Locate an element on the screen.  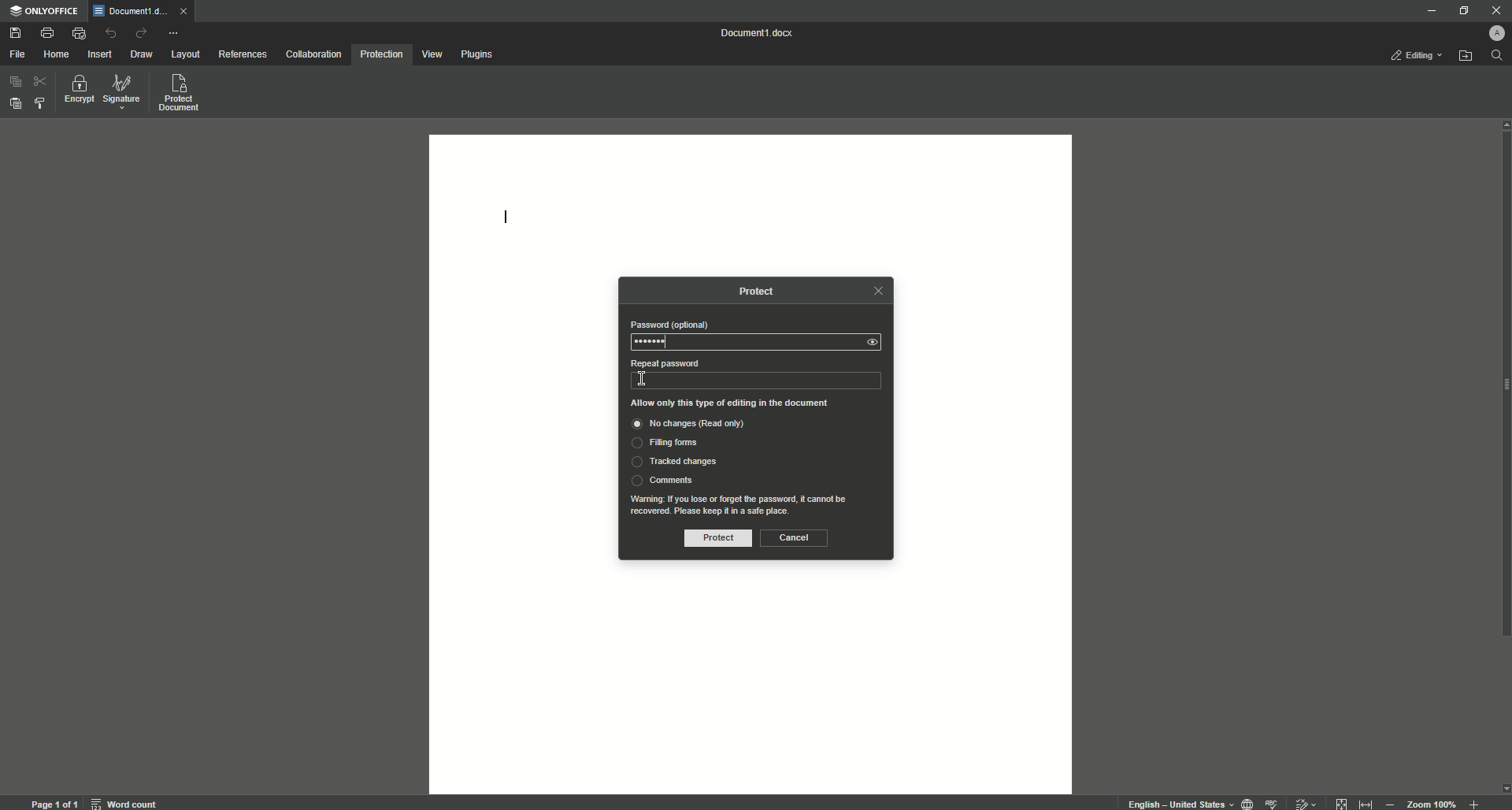
Redo is located at coordinates (140, 32).